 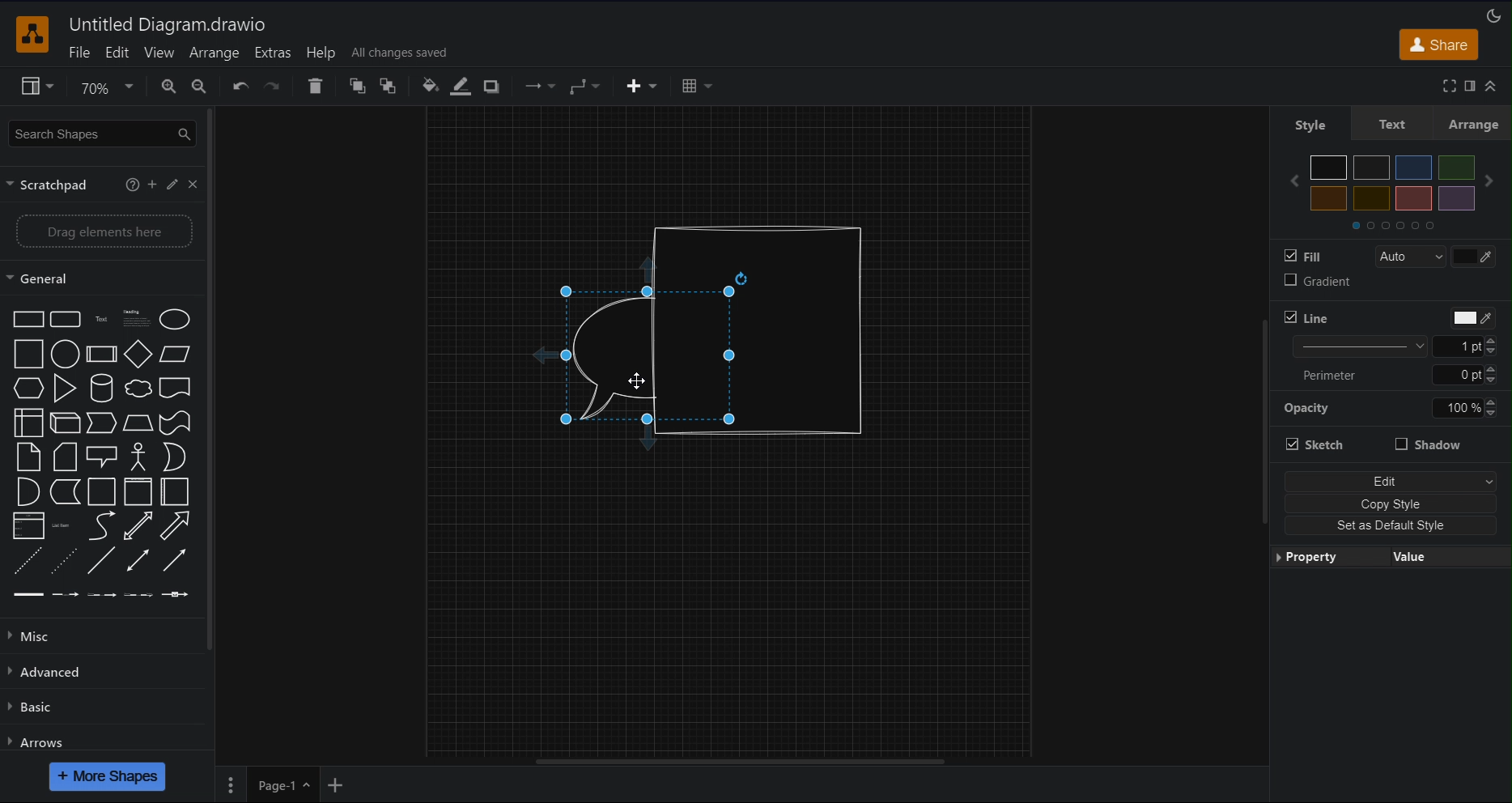 What do you see at coordinates (65, 457) in the screenshot?
I see `Card` at bounding box center [65, 457].